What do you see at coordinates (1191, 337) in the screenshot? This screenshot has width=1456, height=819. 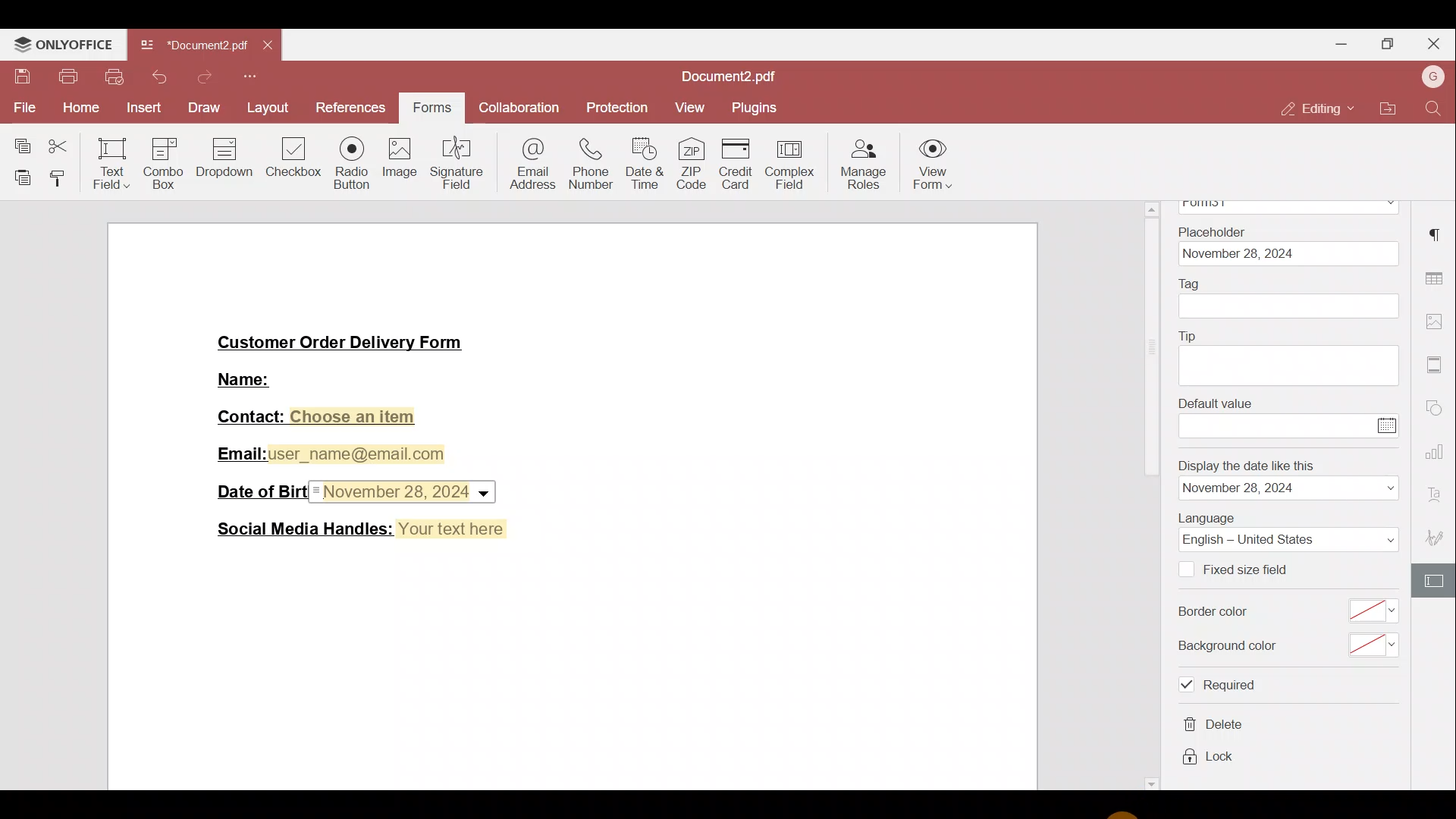 I see `Tip` at bounding box center [1191, 337].